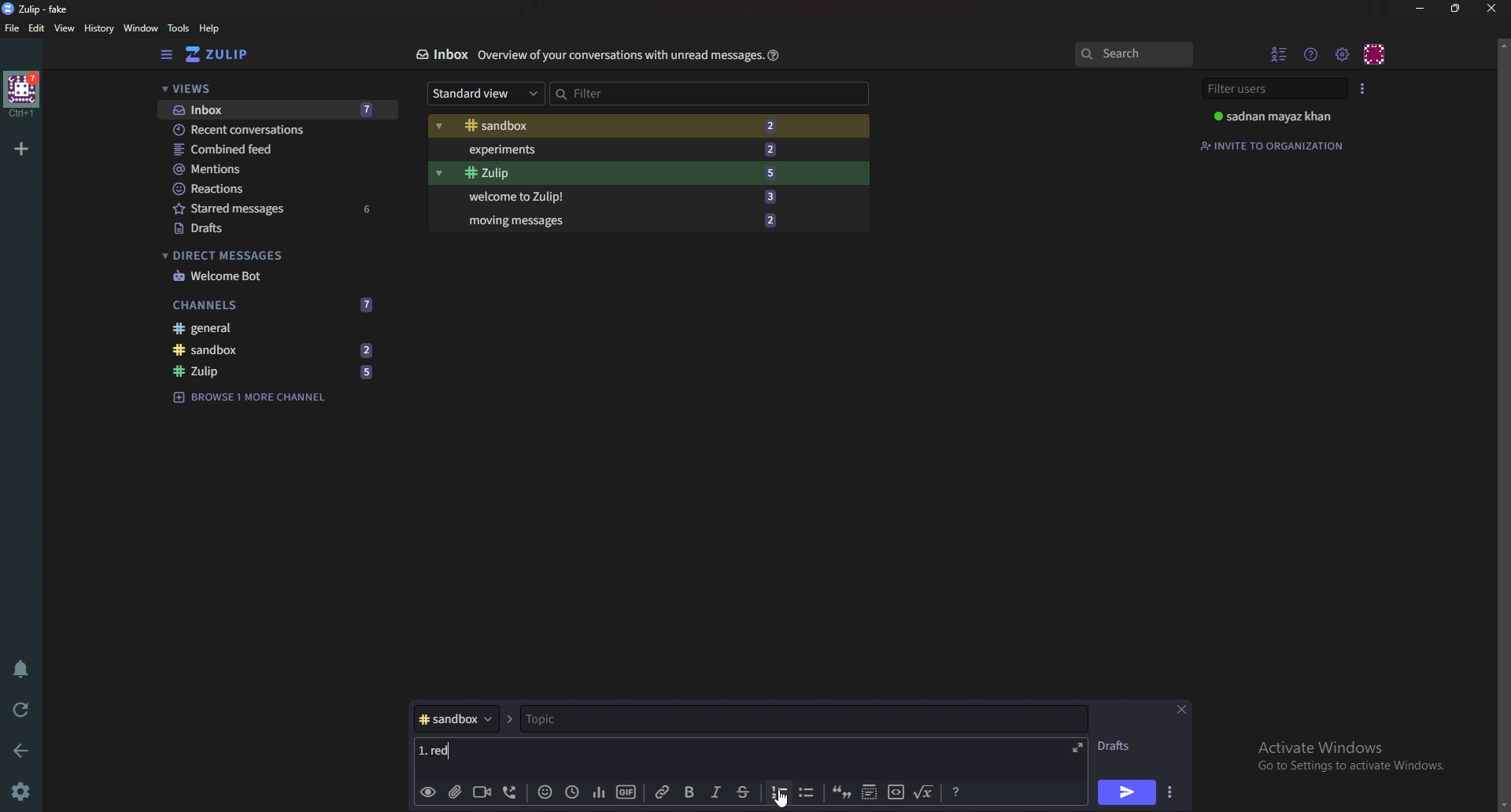 This screenshot has height=812, width=1511. Describe the element at coordinates (925, 792) in the screenshot. I see `Math` at that location.